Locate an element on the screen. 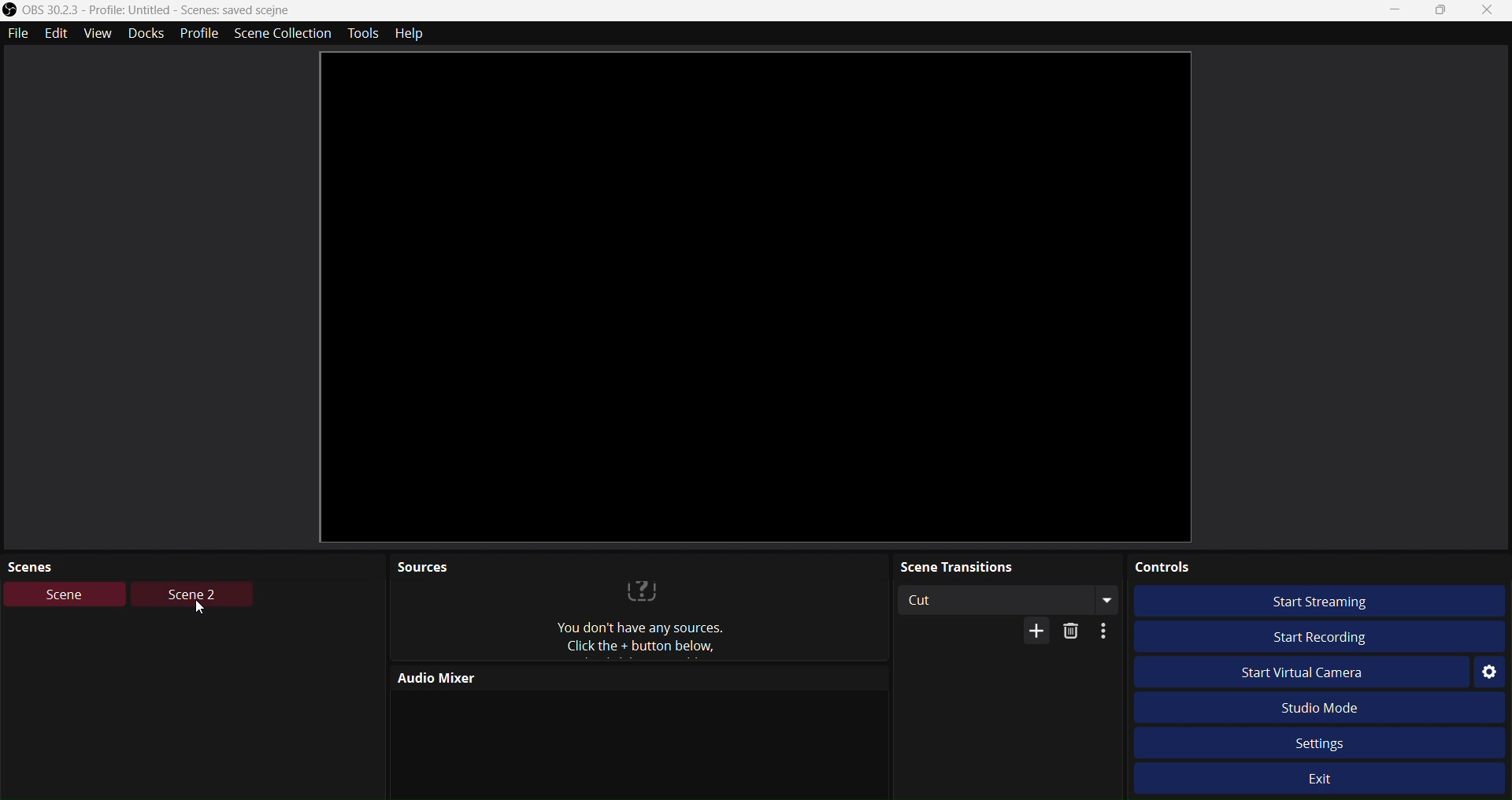 Image resolution: width=1512 pixels, height=800 pixels. Box is located at coordinates (1447, 12).